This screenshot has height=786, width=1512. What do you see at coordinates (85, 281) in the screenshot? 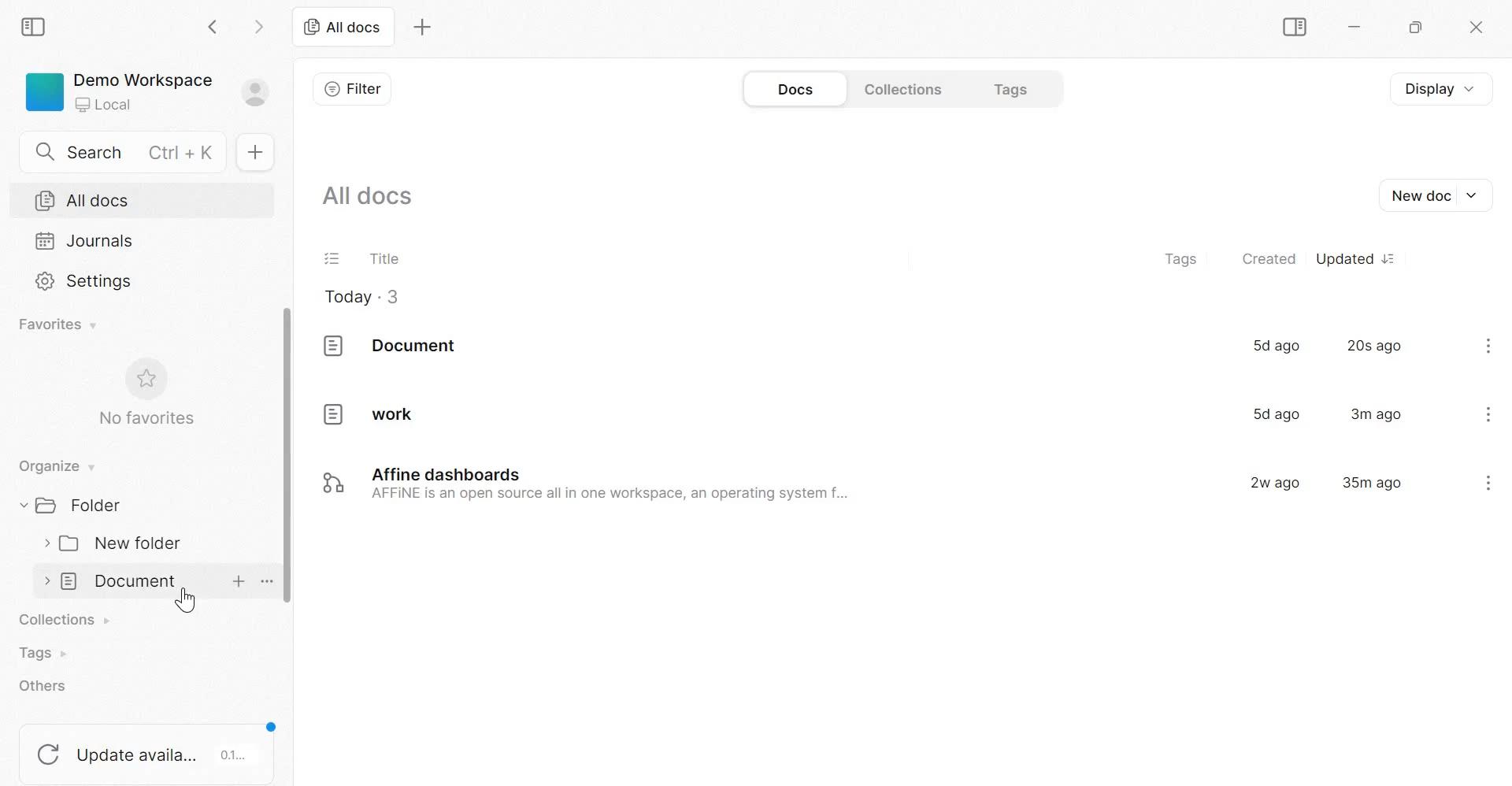
I see `Settings` at bounding box center [85, 281].